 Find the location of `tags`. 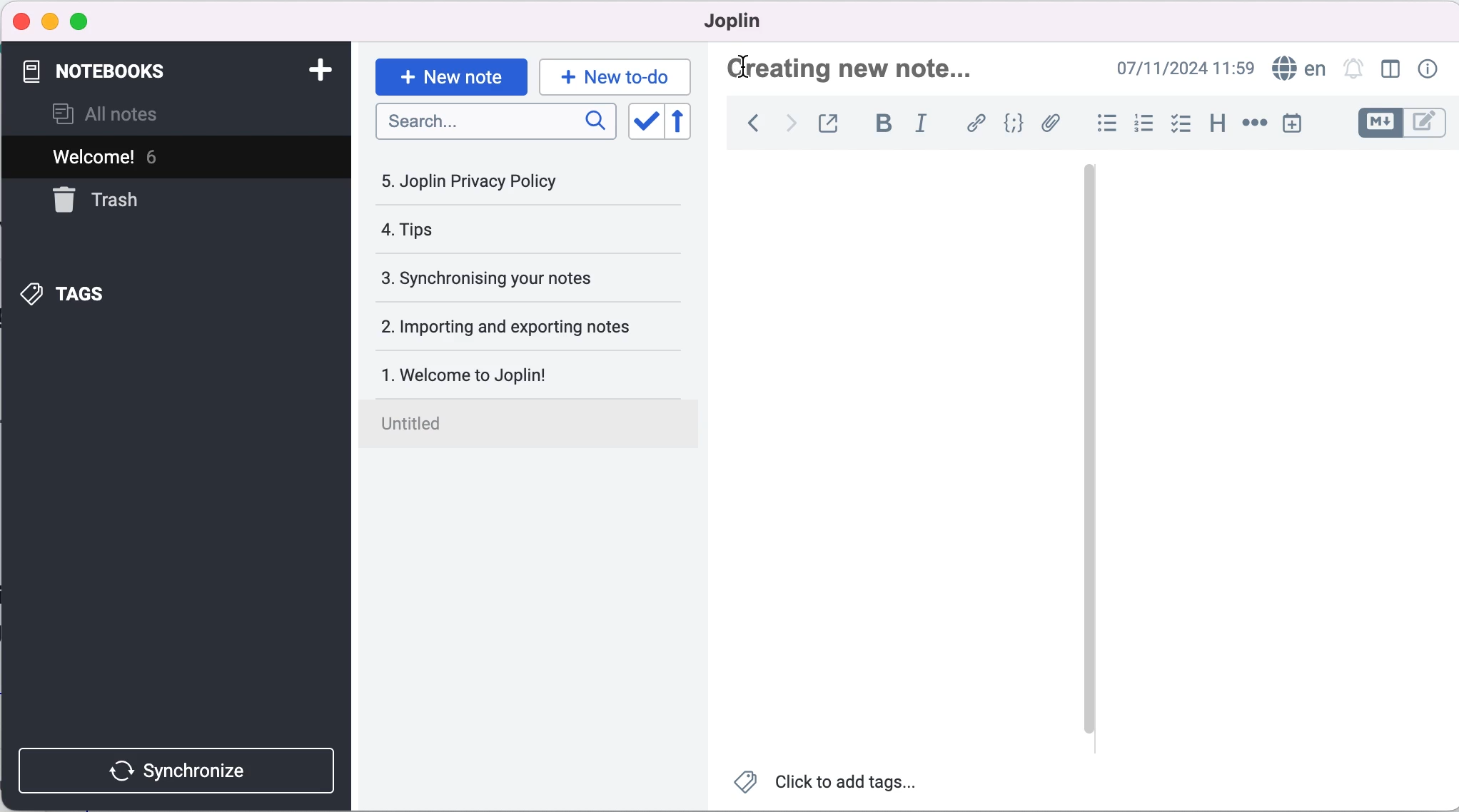

tags is located at coordinates (78, 293).